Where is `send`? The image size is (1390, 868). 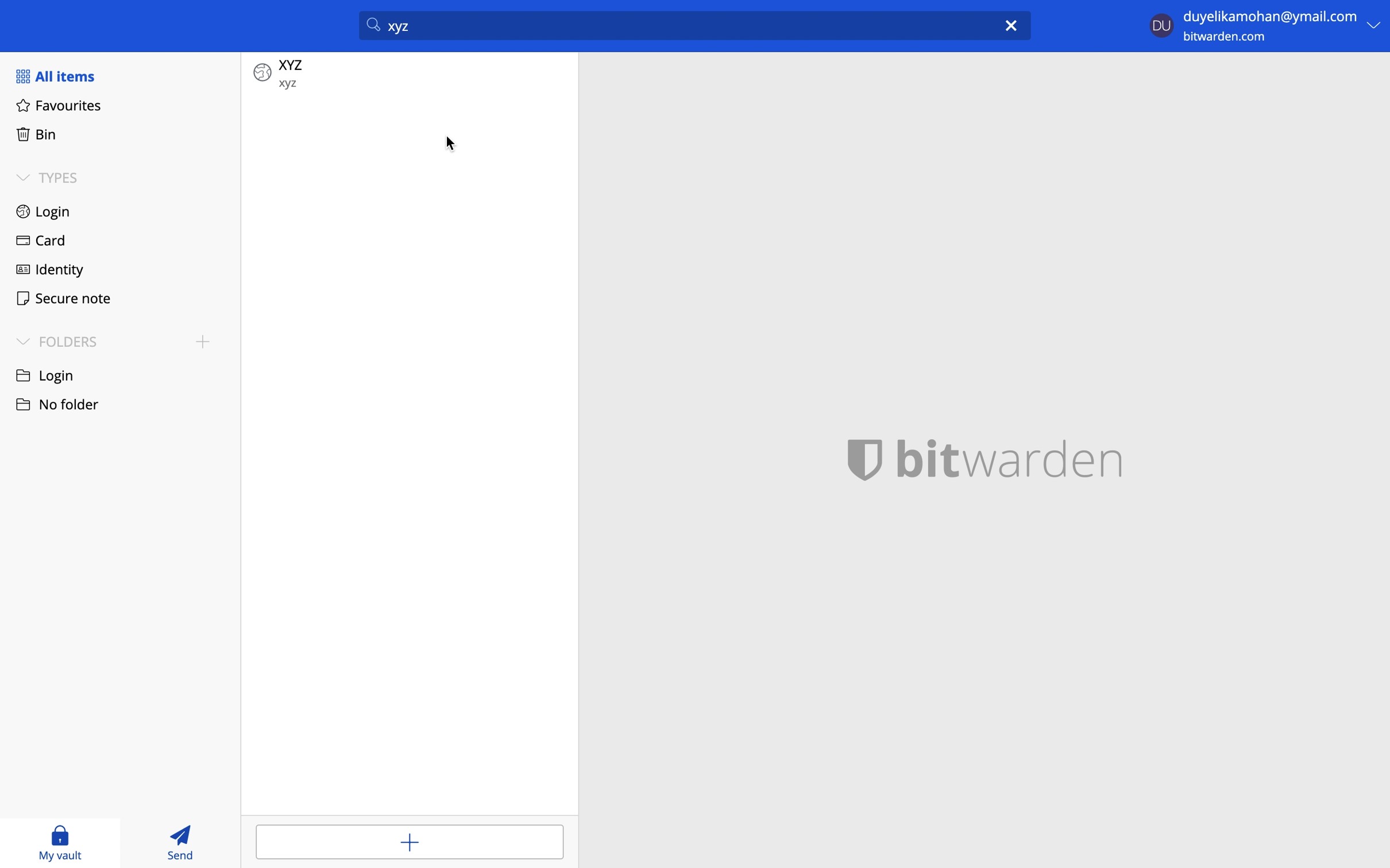
send is located at coordinates (187, 842).